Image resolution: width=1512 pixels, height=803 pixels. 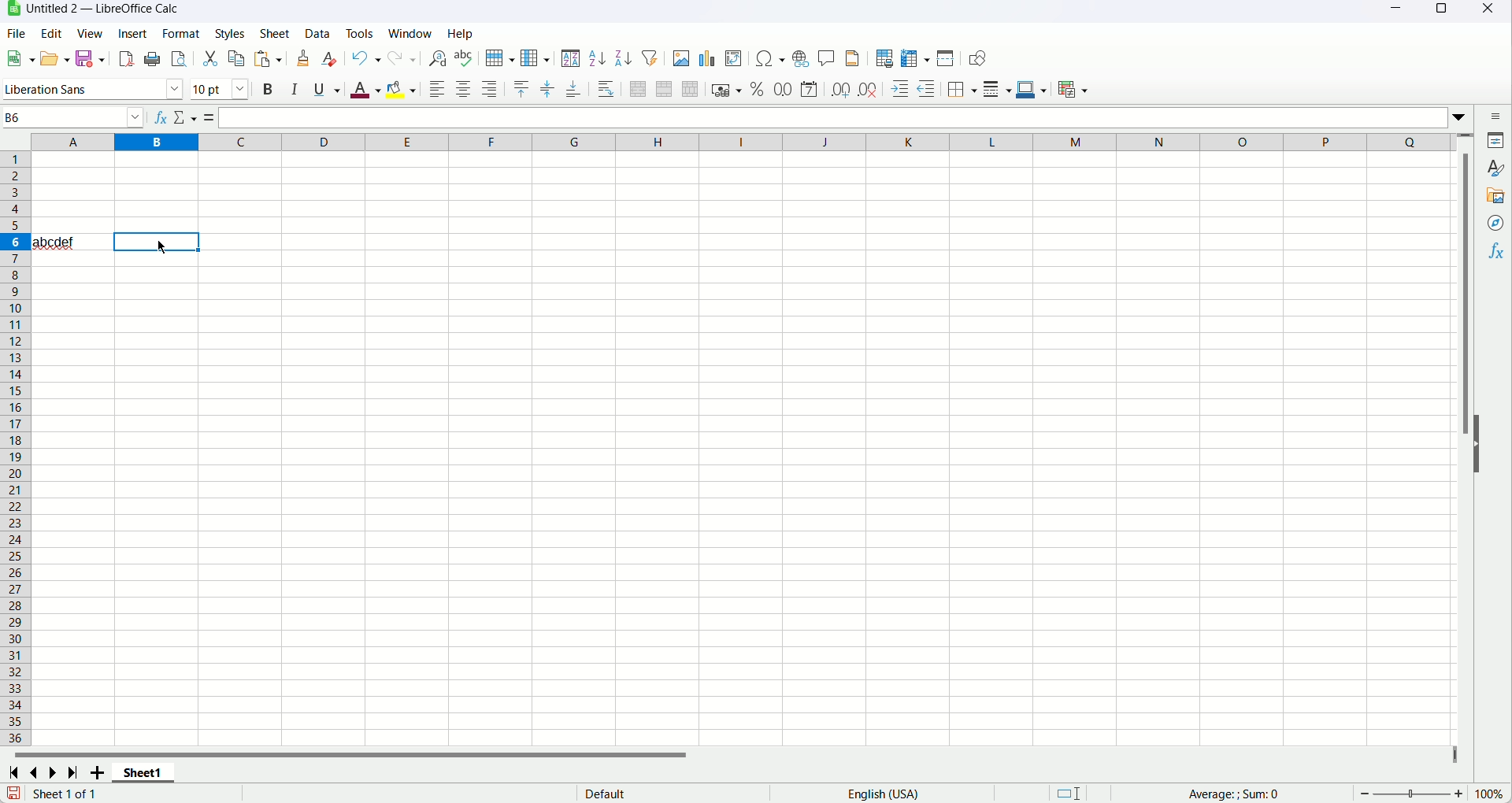 I want to click on zoom in, so click(x=1458, y=794).